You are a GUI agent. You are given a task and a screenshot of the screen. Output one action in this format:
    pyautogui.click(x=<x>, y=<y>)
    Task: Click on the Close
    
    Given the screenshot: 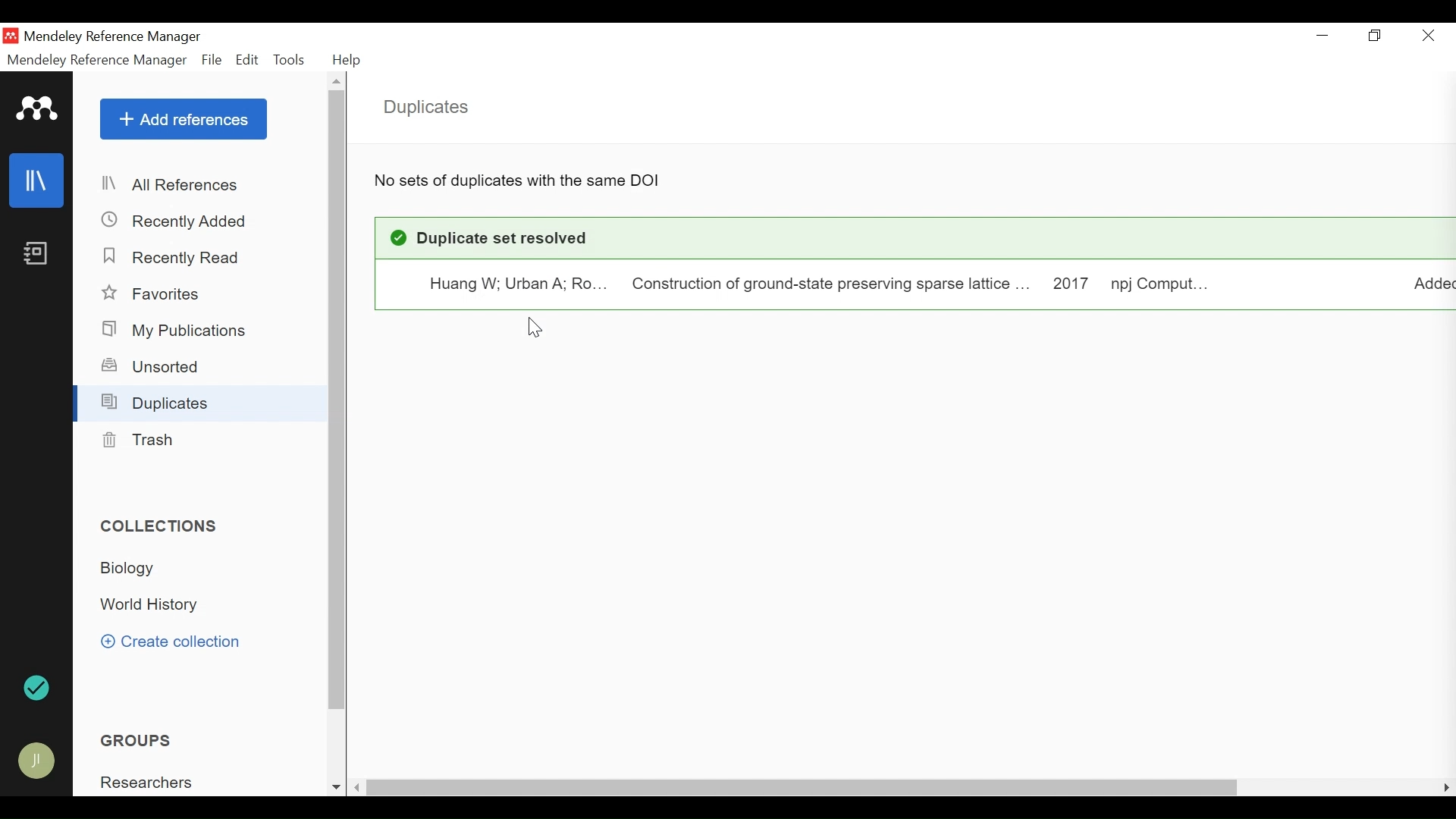 What is the action you would take?
    pyautogui.click(x=1429, y=36)
    